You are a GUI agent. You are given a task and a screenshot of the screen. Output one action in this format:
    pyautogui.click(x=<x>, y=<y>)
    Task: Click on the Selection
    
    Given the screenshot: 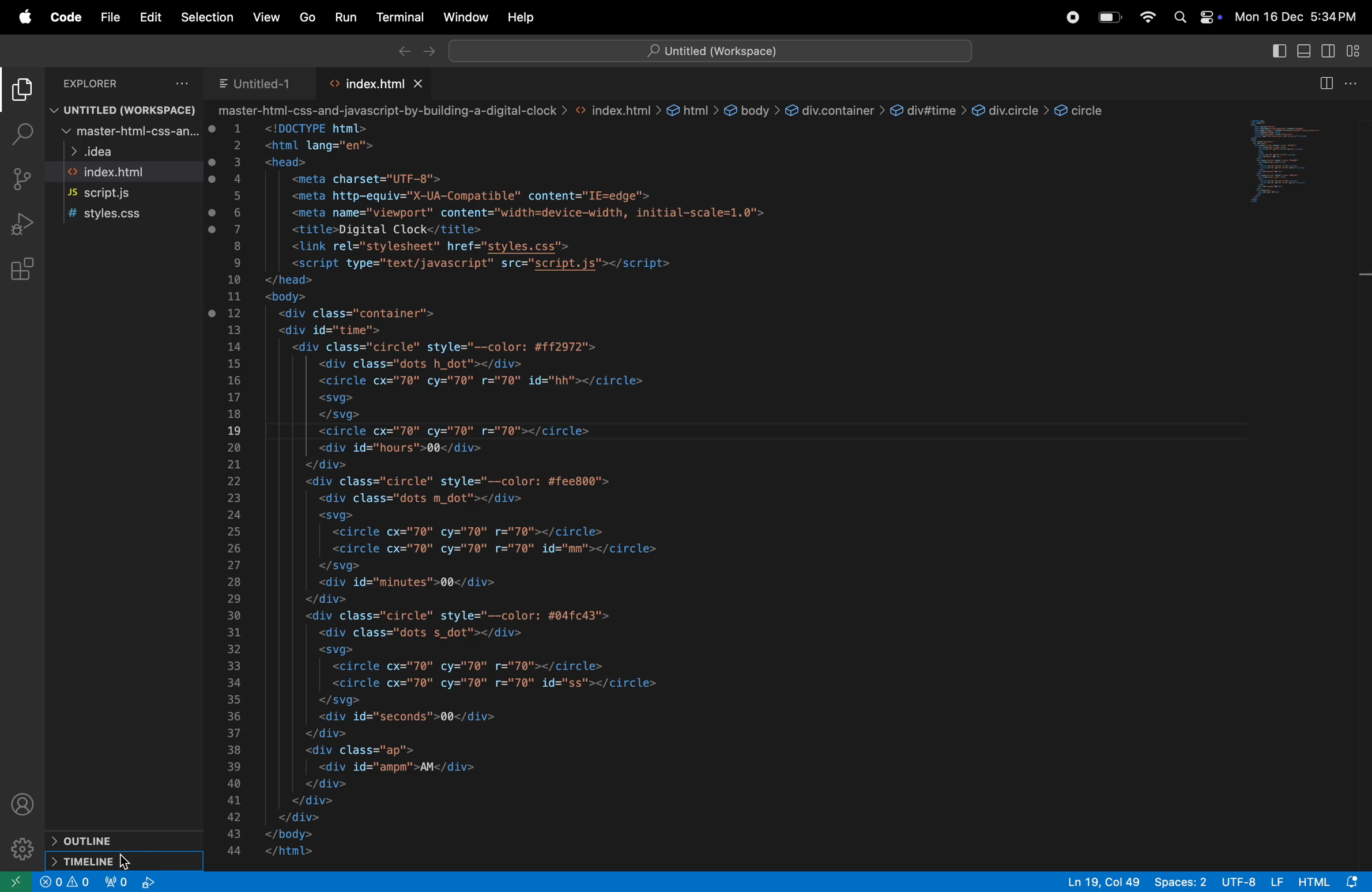 What is the action you would take?
    pyautogui.click(x=206, y=19)
    